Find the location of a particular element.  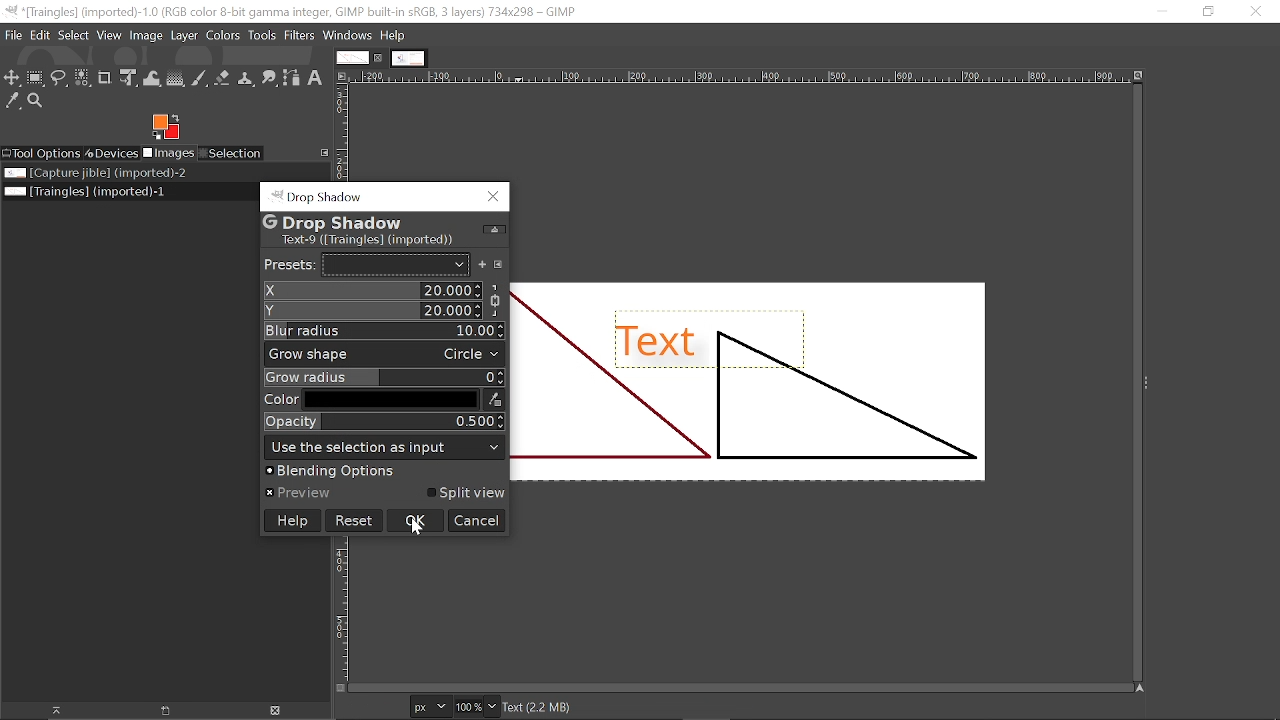

Access this image menu is located at coordinates (344, 77).